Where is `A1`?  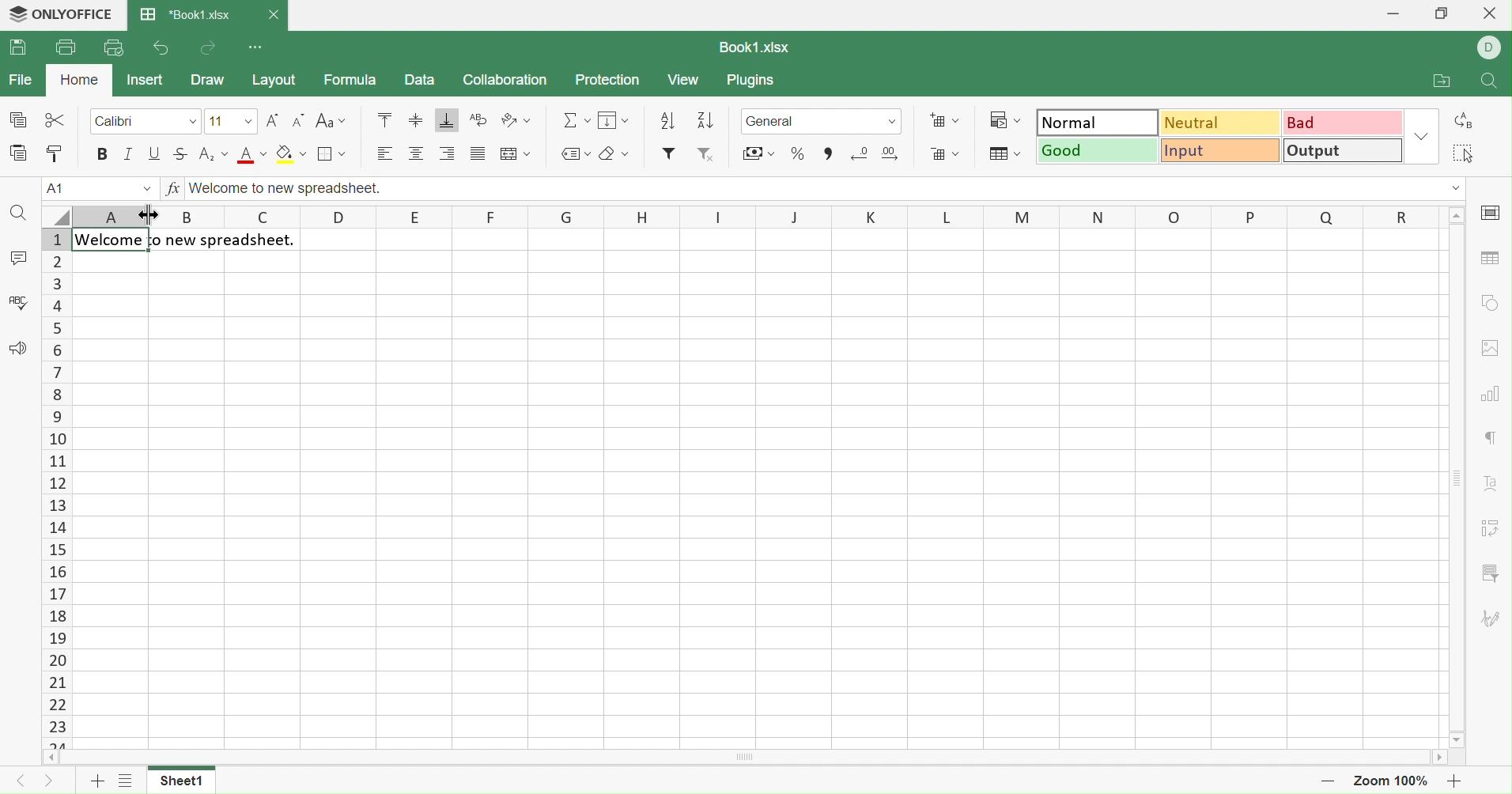 A1 is located at coordinates (96, 188).